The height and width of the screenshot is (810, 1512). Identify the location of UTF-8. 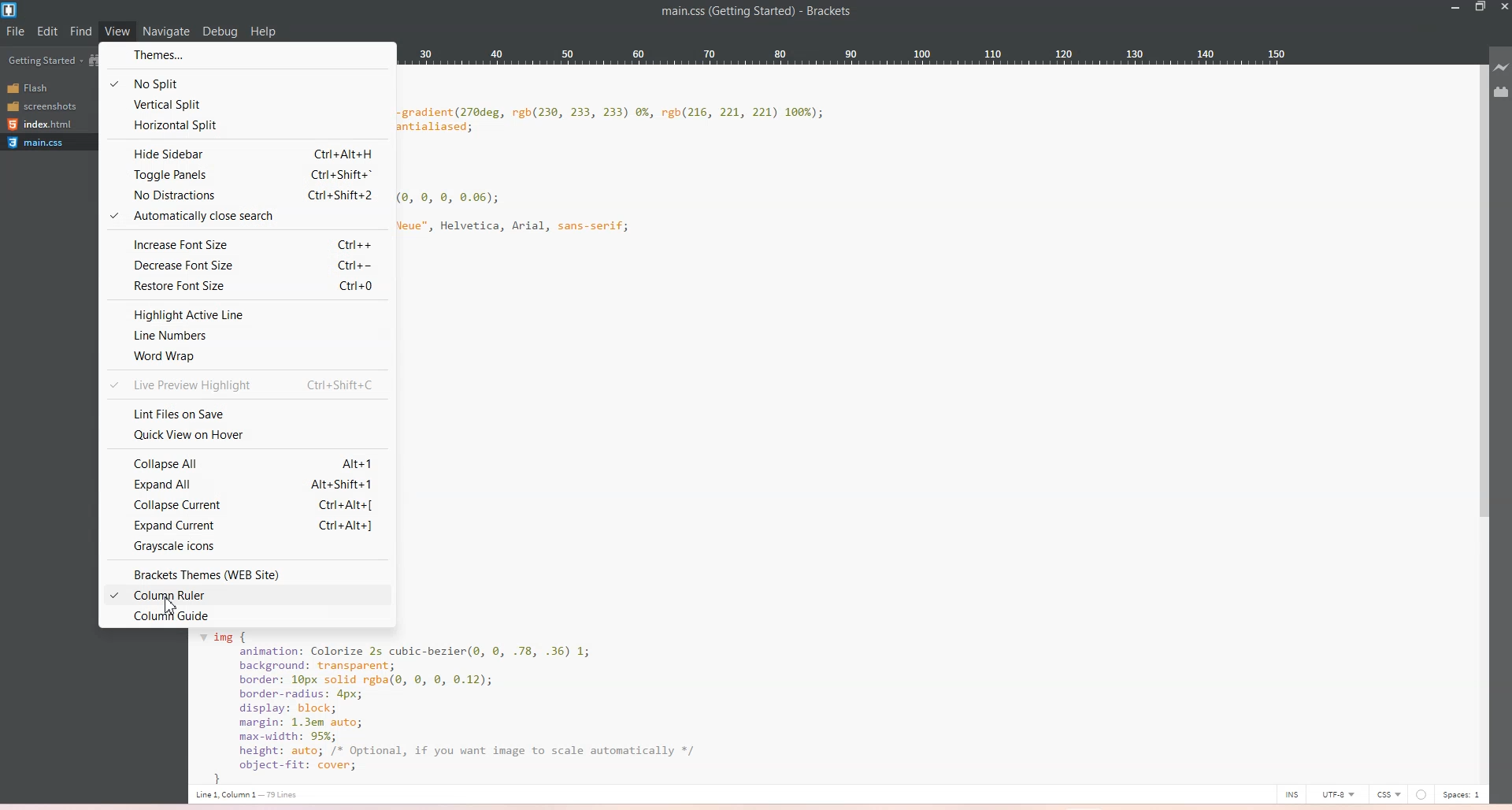
(1338, 793).